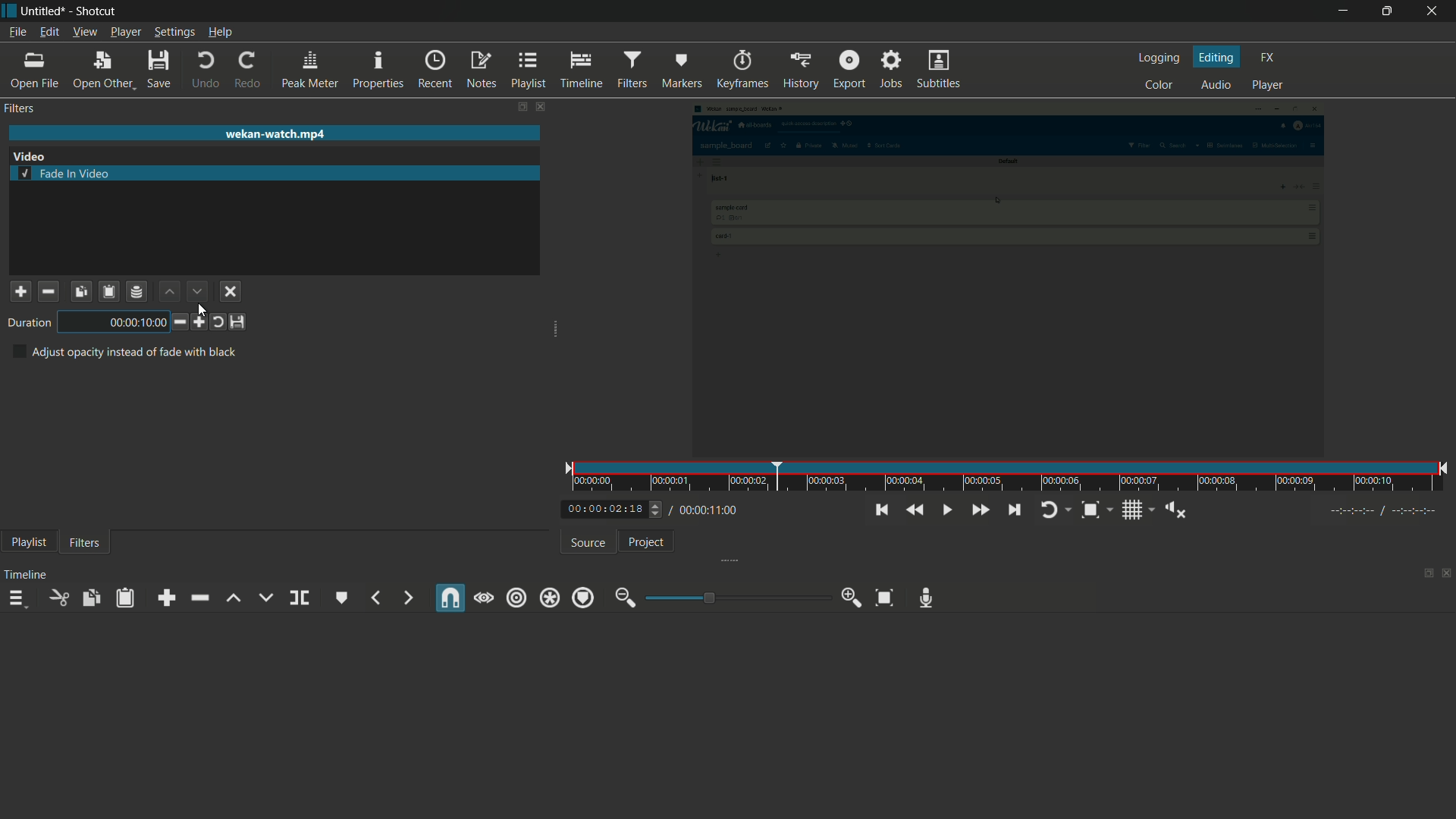 The height and width of the screenshot is (819, 1456). Describe the element at coordinates (48, 290) in the screenshot. I see `remove the filter` at that location.